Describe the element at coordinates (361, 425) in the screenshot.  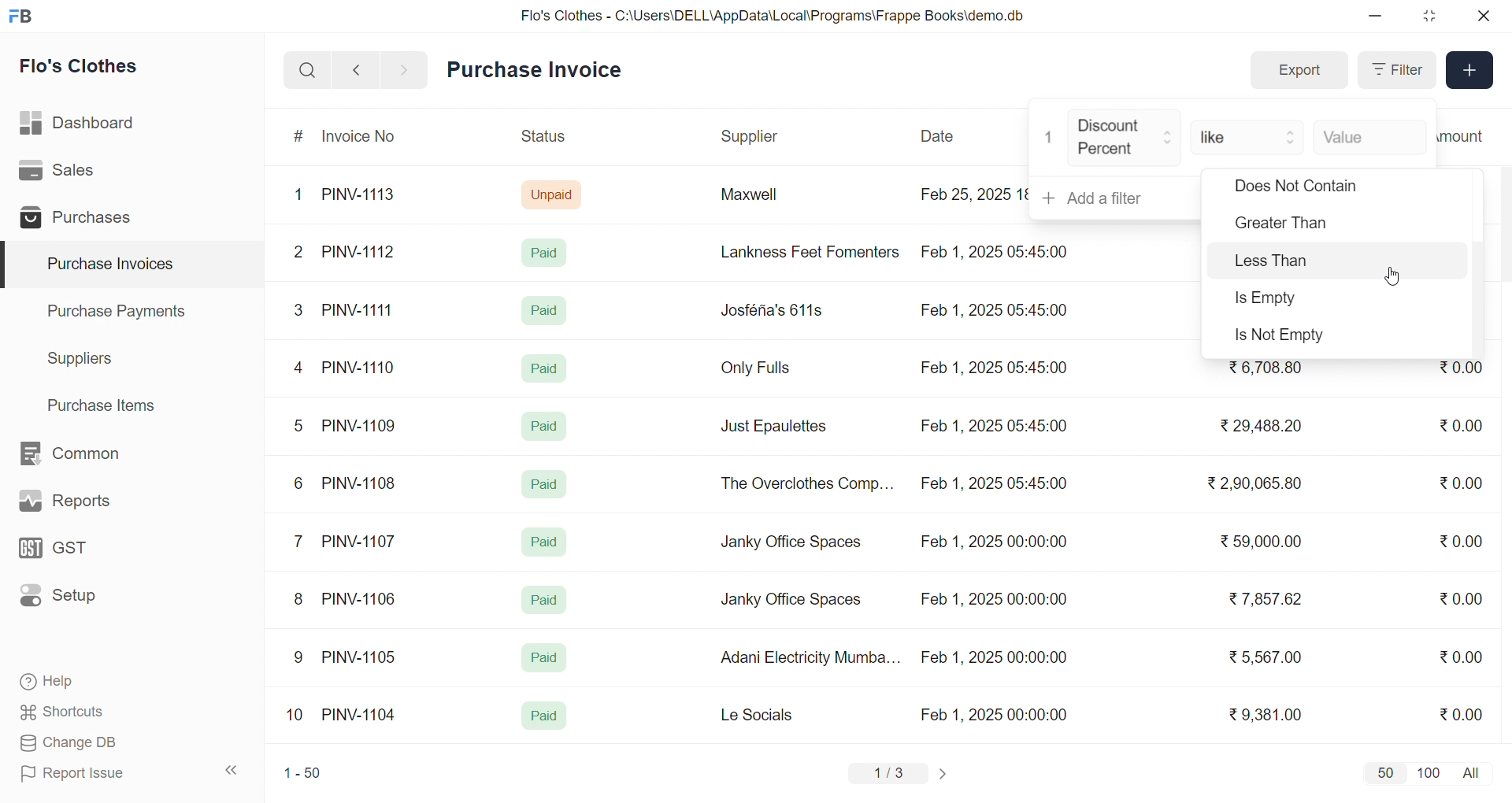
I see `PINV-1109` at that location.